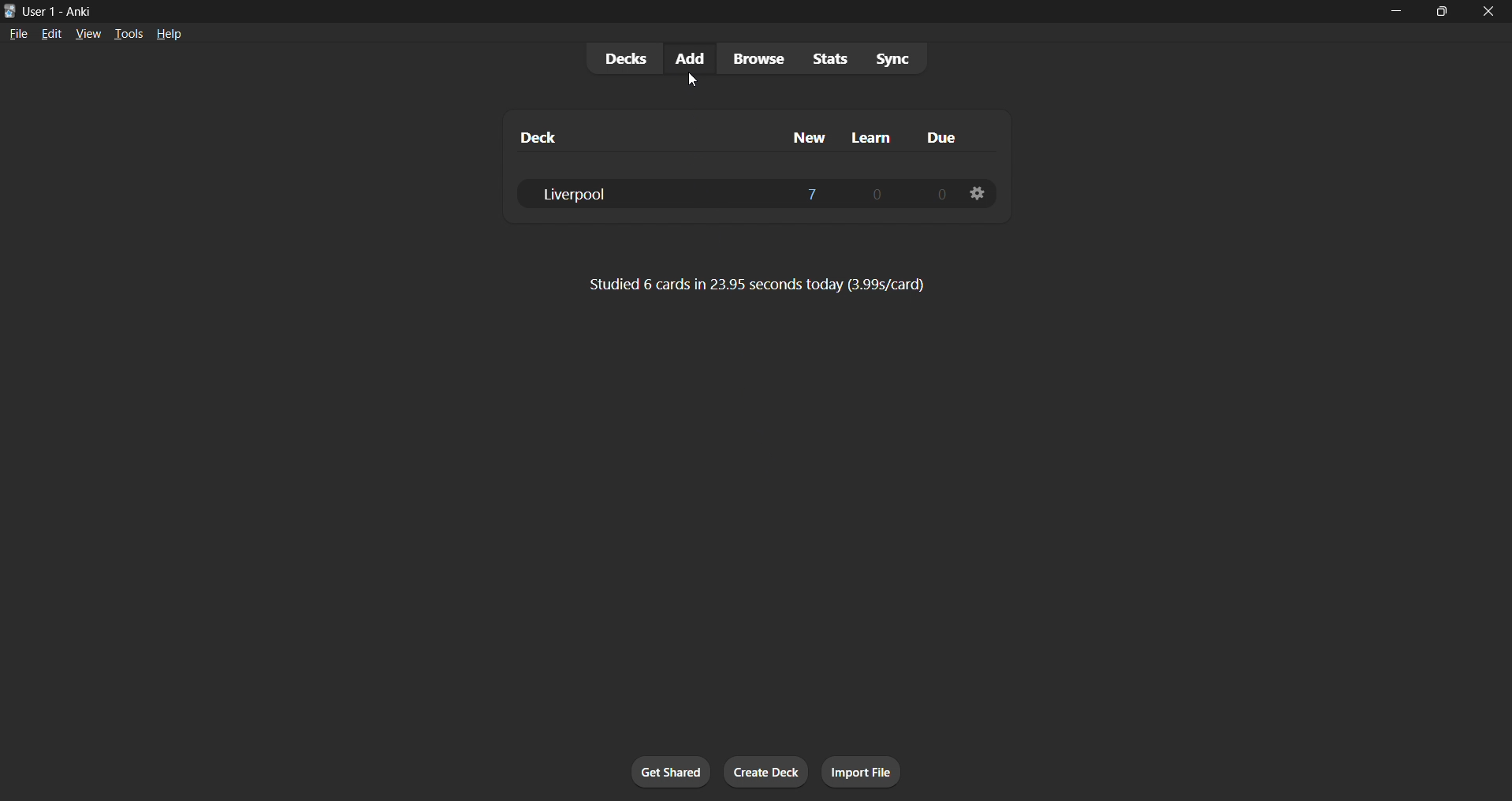 This screenshot has width=1512, height=801. Describe the element at coordinates (672, 773) in the screenshot. I see `get shared` at that location.